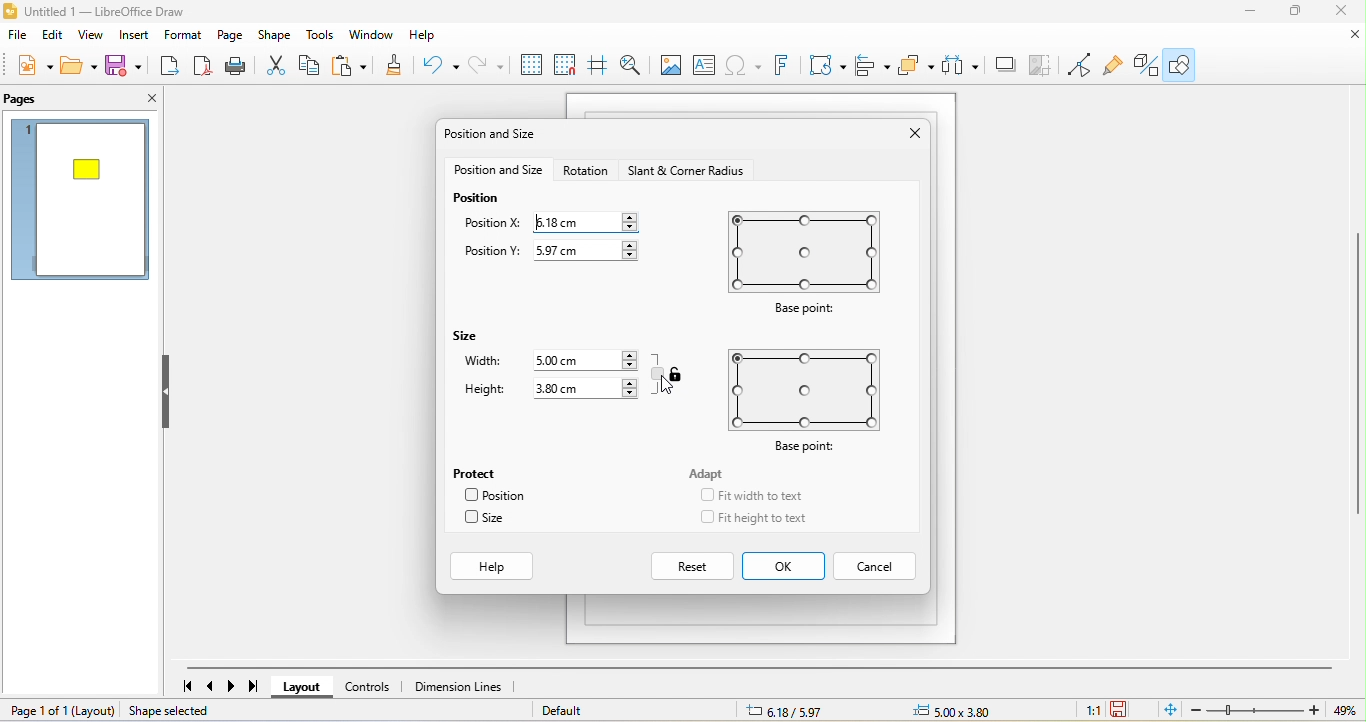 This screenshot has width=1366, height=722. I want to click on horizontal scroll bar, so click(770, 667).